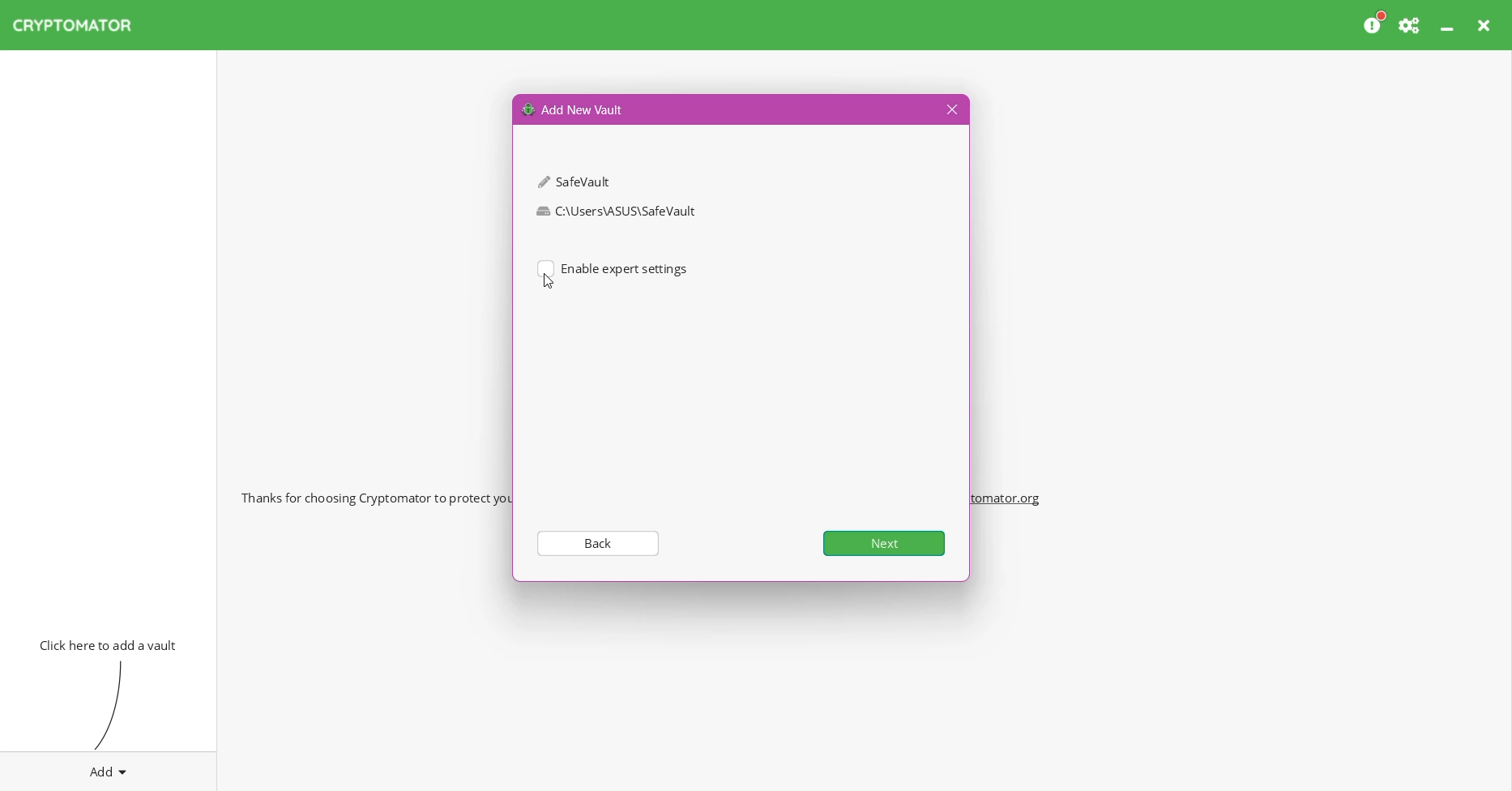 The height and width of the screenshot is (791, 1512). I want to click on (un)select Enable expert settings, so click(612, 269).